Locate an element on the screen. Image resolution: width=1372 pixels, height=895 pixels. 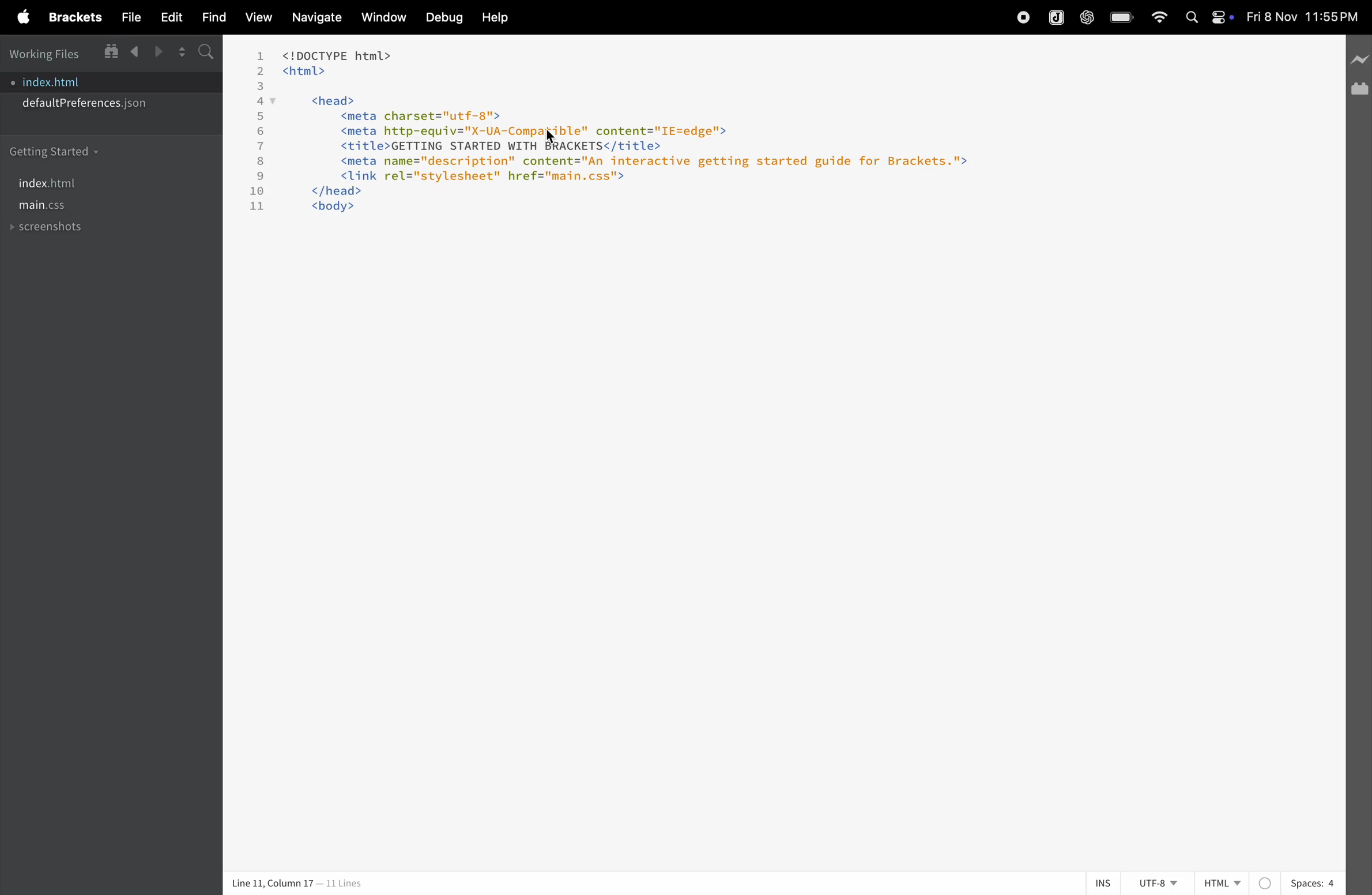
apple menu is located at coordinates (22, 17).